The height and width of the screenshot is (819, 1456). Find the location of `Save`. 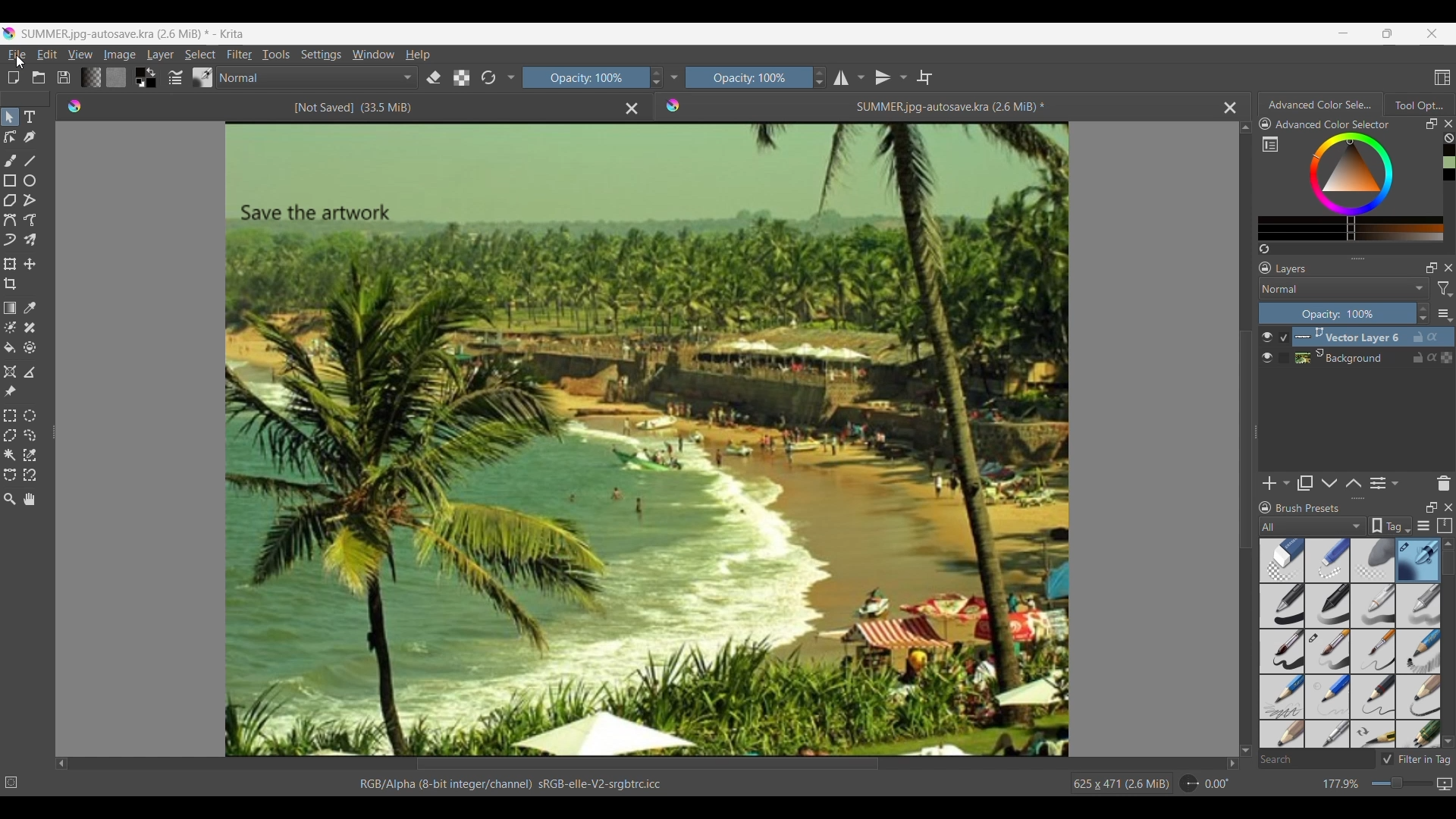

Save is located at coordinates (64, 77).